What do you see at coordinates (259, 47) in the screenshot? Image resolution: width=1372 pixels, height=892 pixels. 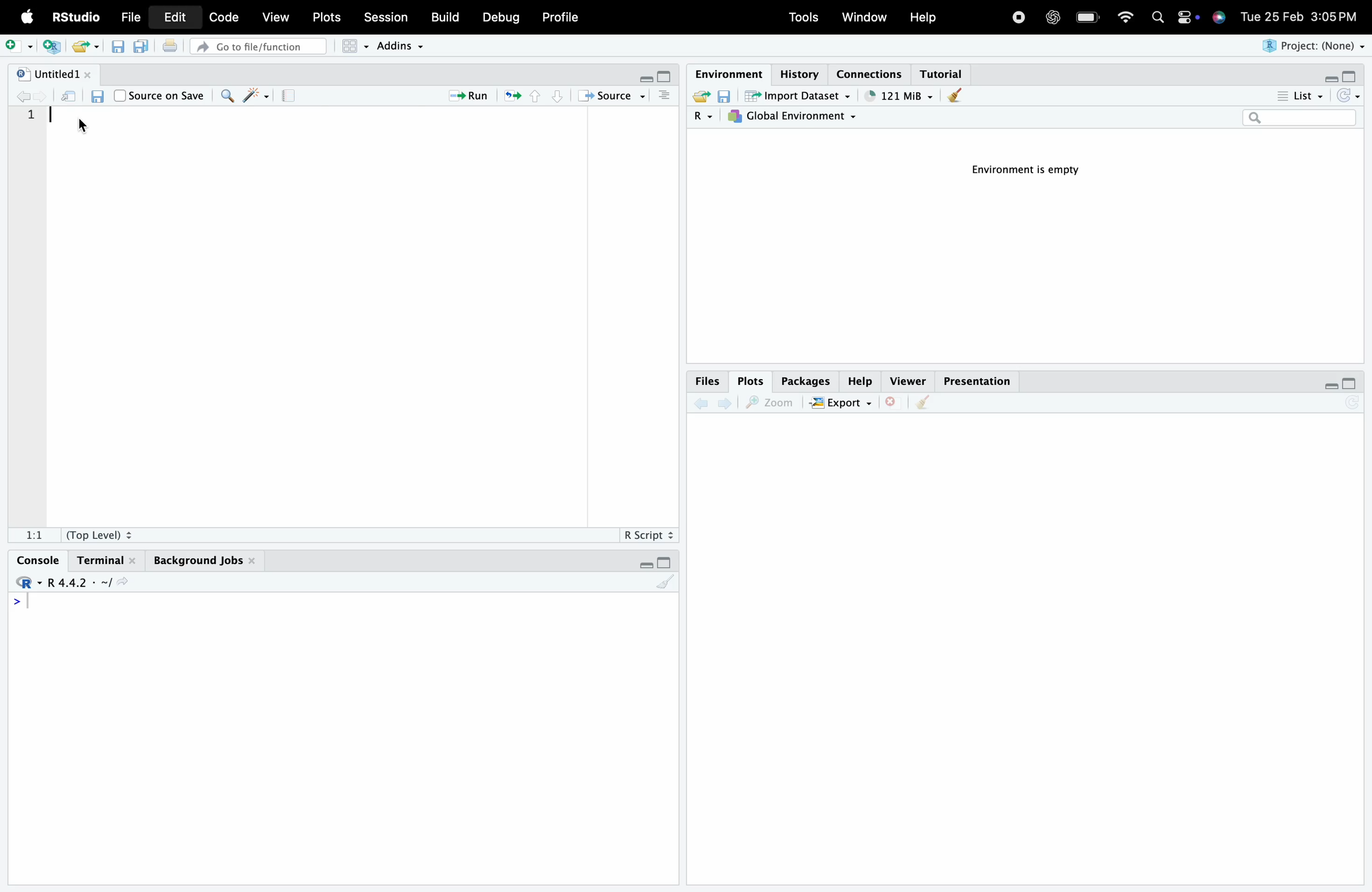 I see `Go to file/function` at bounding box center [259, 47].